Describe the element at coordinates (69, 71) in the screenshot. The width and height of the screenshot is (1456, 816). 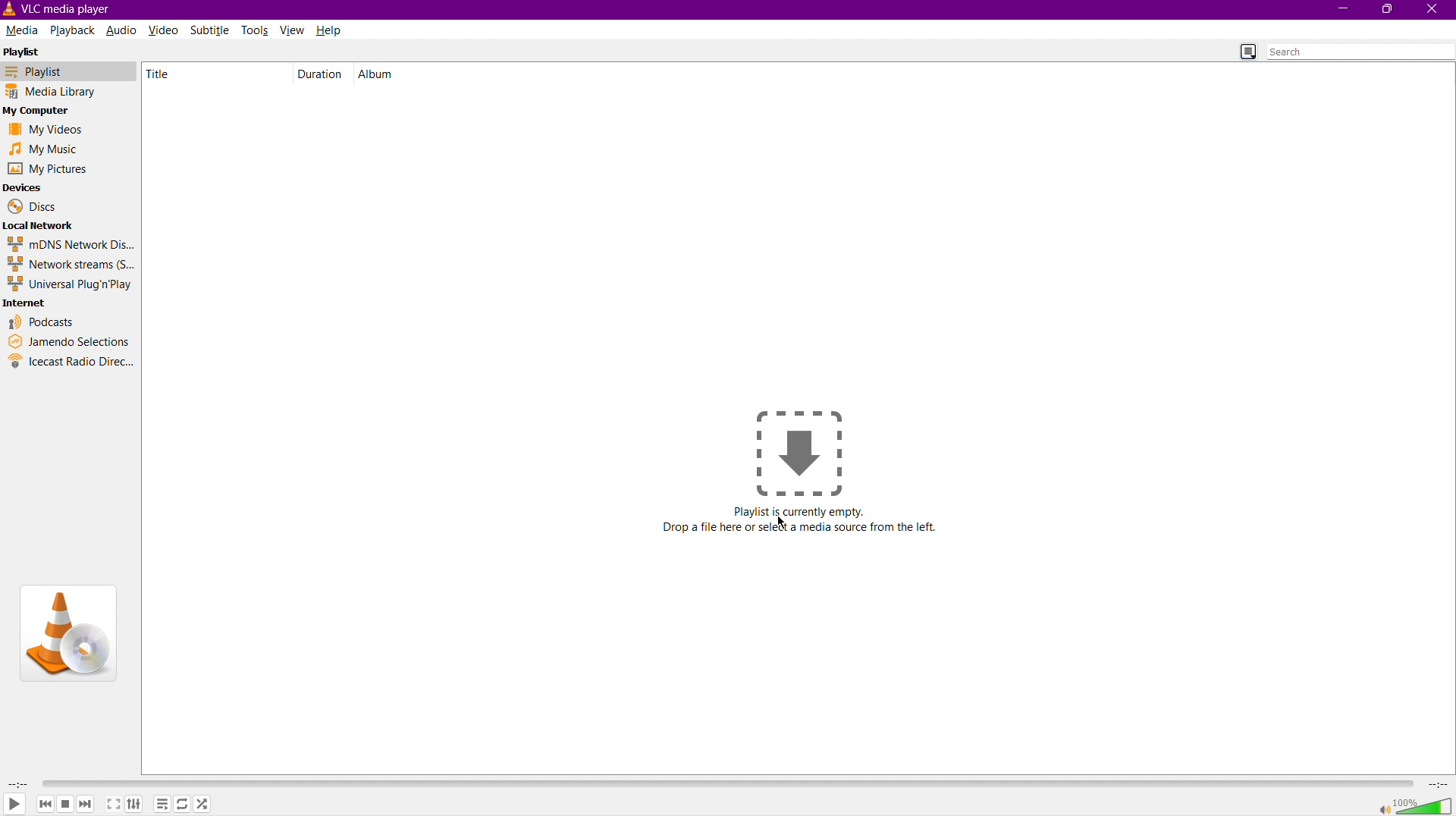
I see `Playlist` at that location.